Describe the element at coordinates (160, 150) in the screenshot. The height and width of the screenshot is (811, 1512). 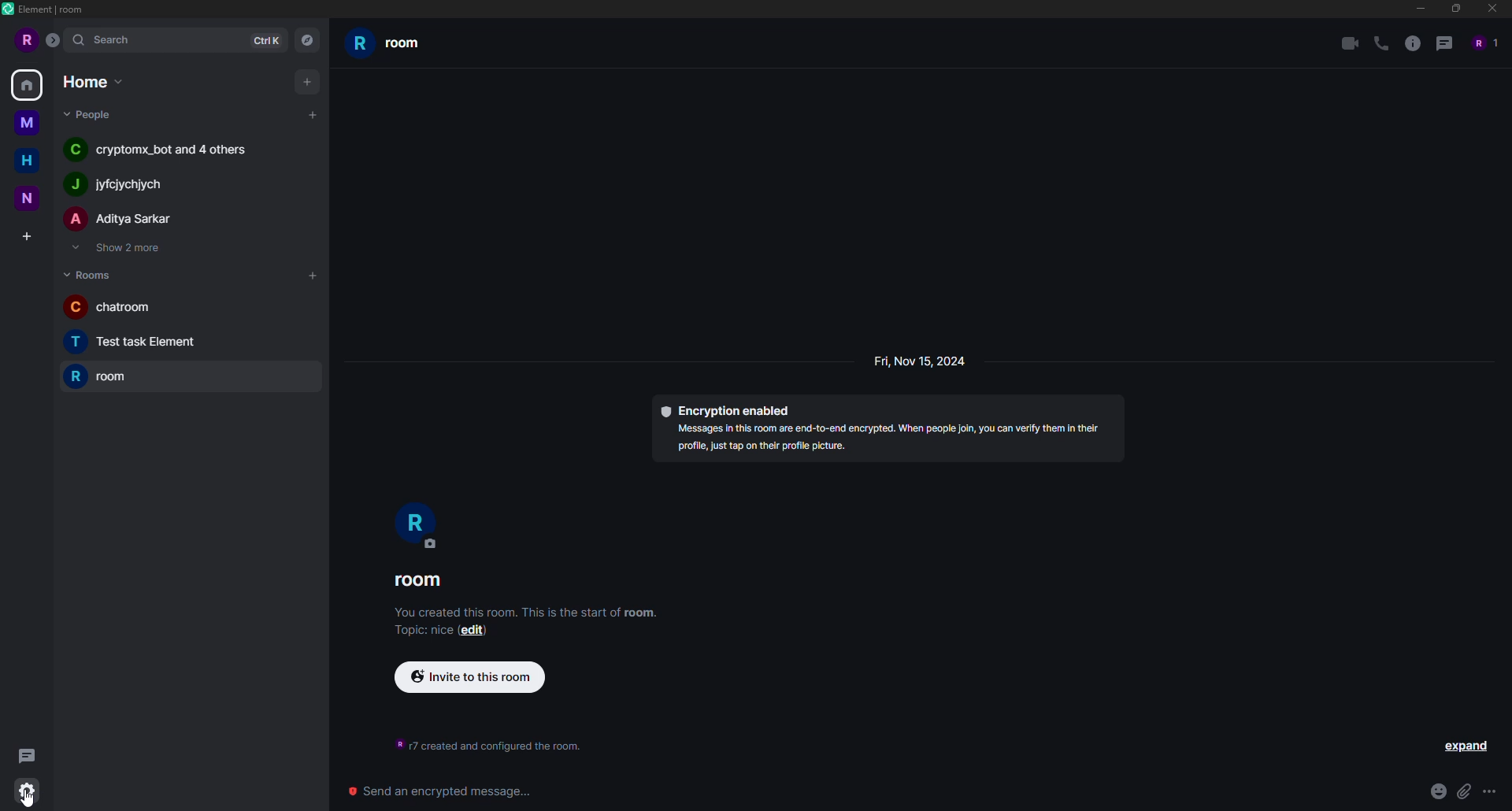
I see `C  cryptomx_bot and 4 others.` at that location.